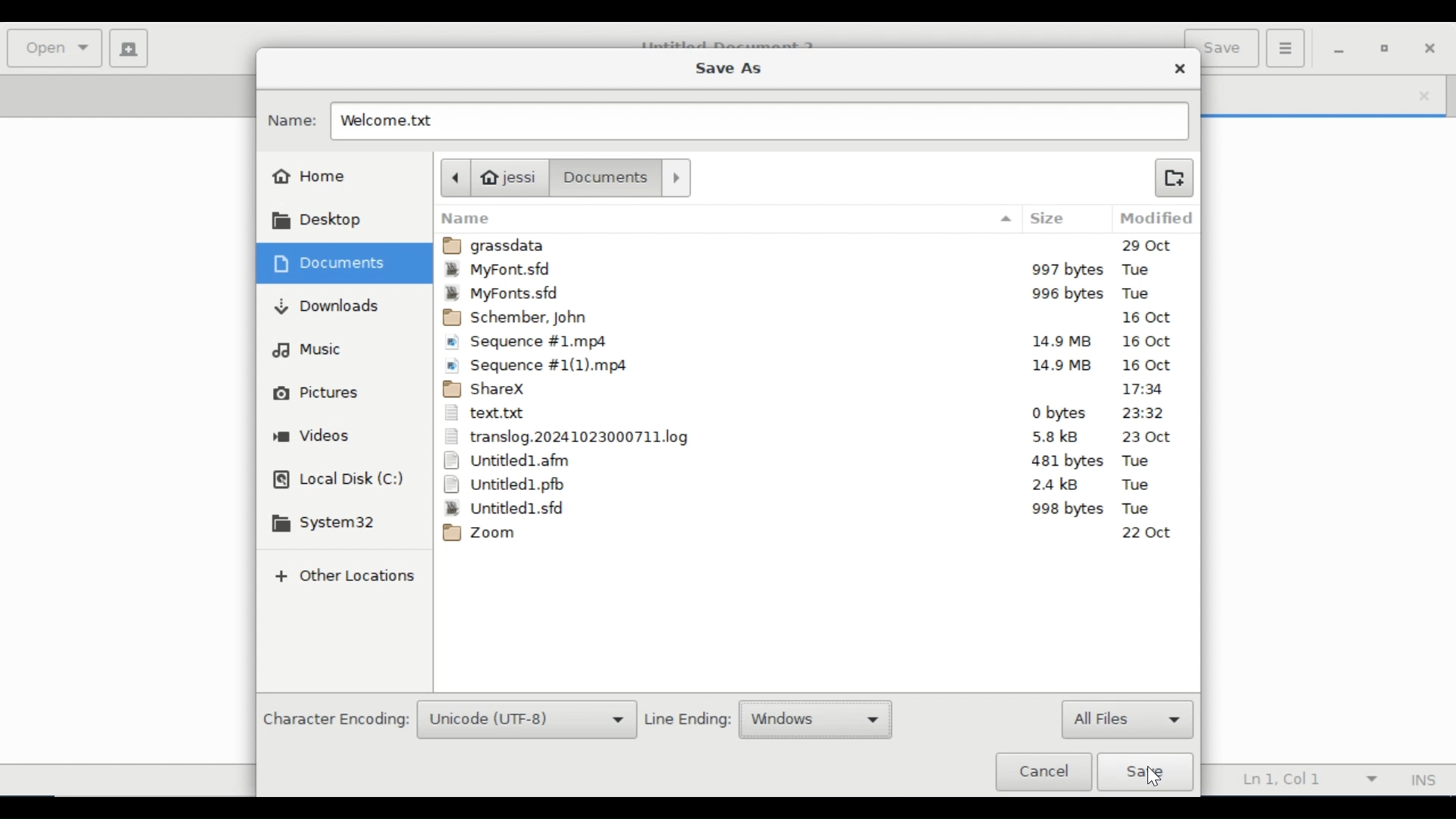  What do you see at coordinates (331, 262) in the screenshot?
I see `Documents` at bounding box center [331, 262].